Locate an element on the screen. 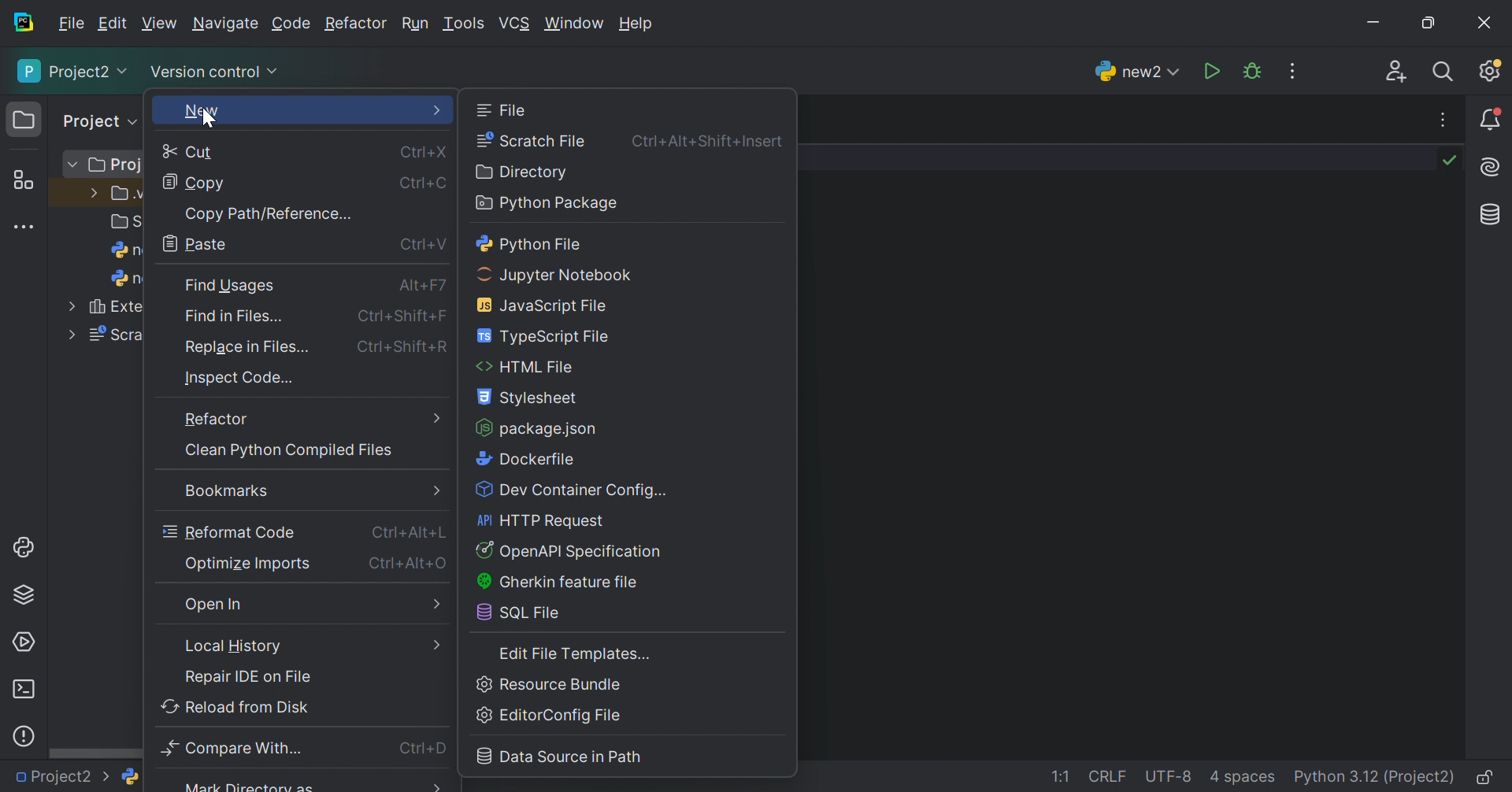  More is located at coordinates (70, 304).